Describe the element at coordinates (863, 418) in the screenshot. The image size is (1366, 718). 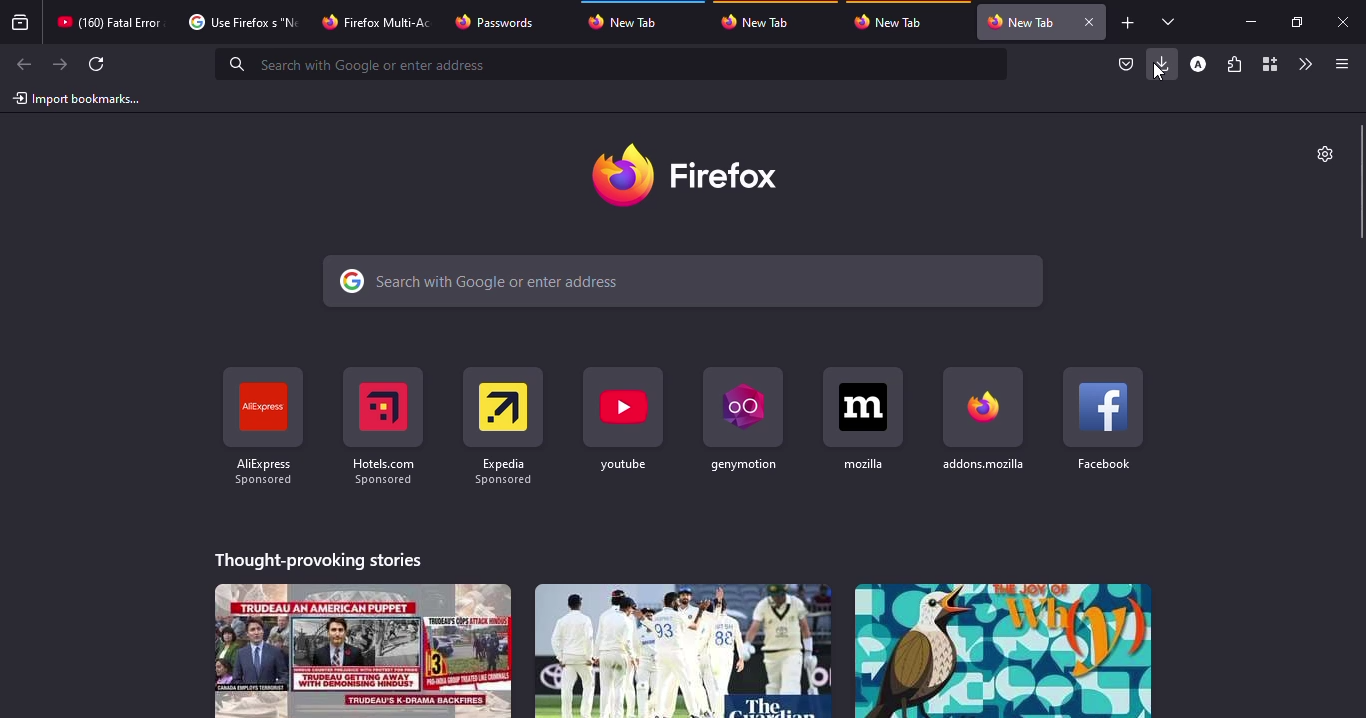
I see `shortcut` at that location.